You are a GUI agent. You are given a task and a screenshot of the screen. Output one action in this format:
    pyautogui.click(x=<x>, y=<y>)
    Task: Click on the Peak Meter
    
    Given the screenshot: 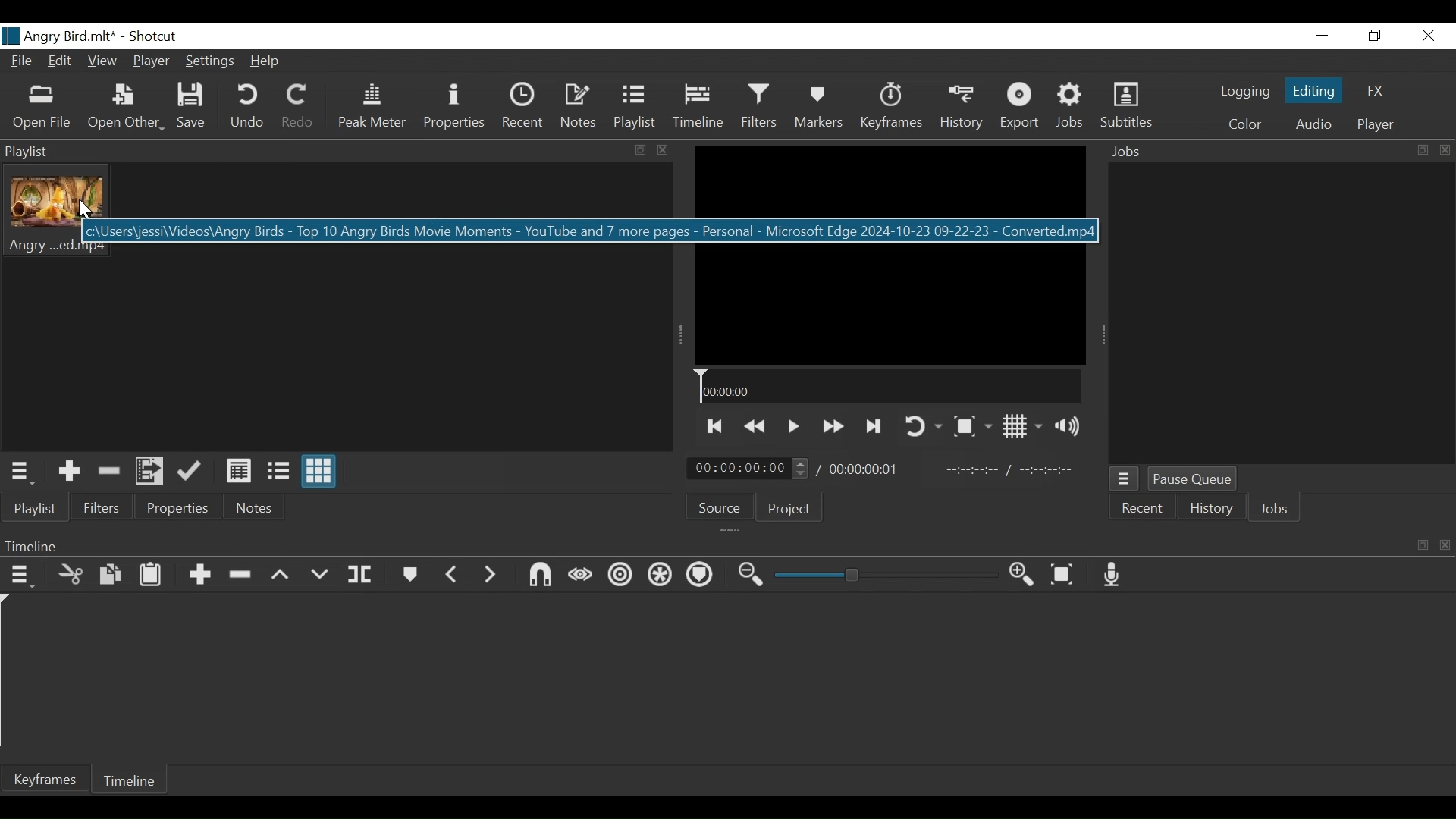 What is the action you would take?
    pyautogui.click(x=370, y=106)
    